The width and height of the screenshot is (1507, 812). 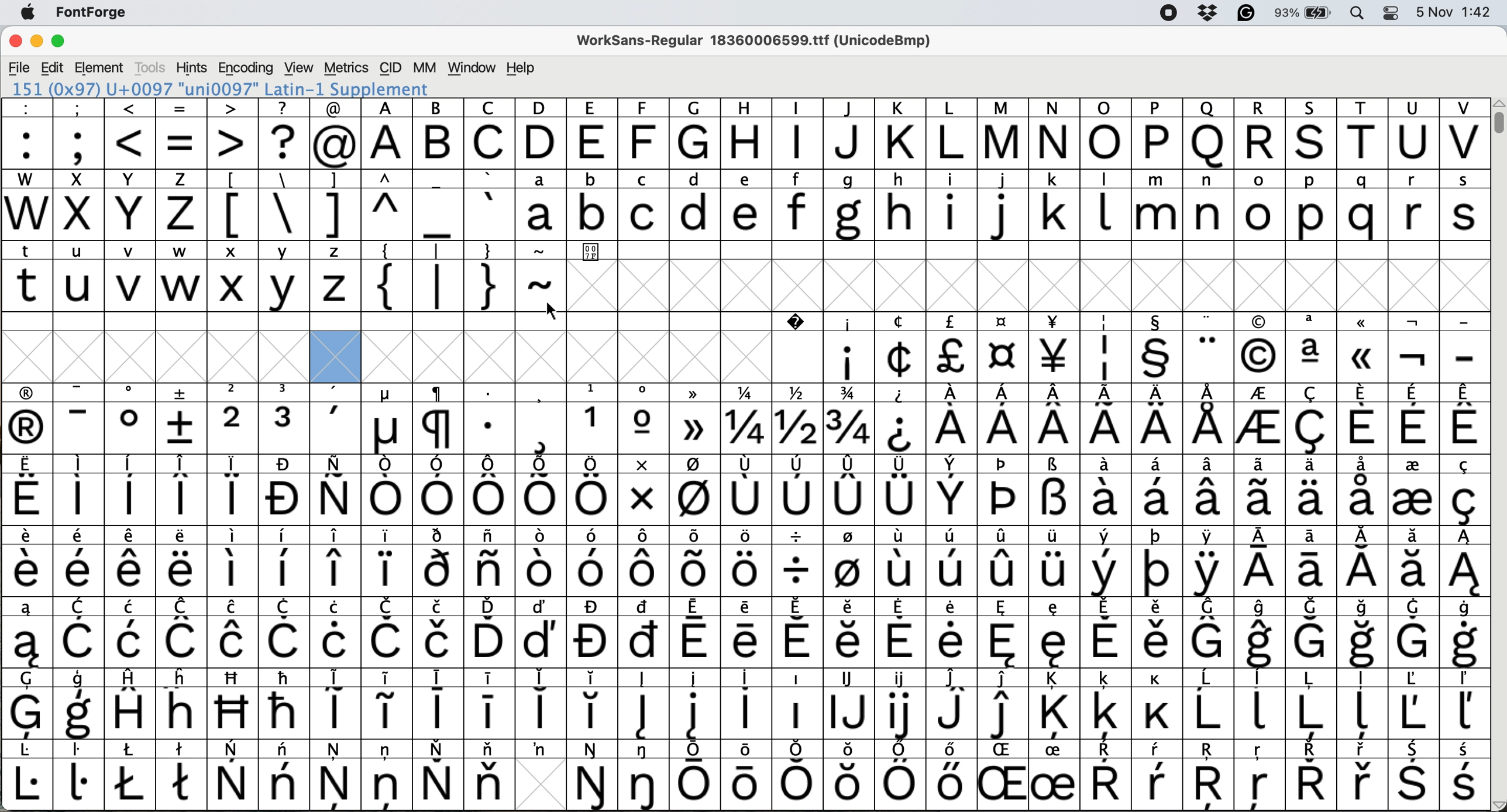 What do you see at coordinates (284, 562) in the screenshot?
I see `symbol` at bounding box center [284, 562].